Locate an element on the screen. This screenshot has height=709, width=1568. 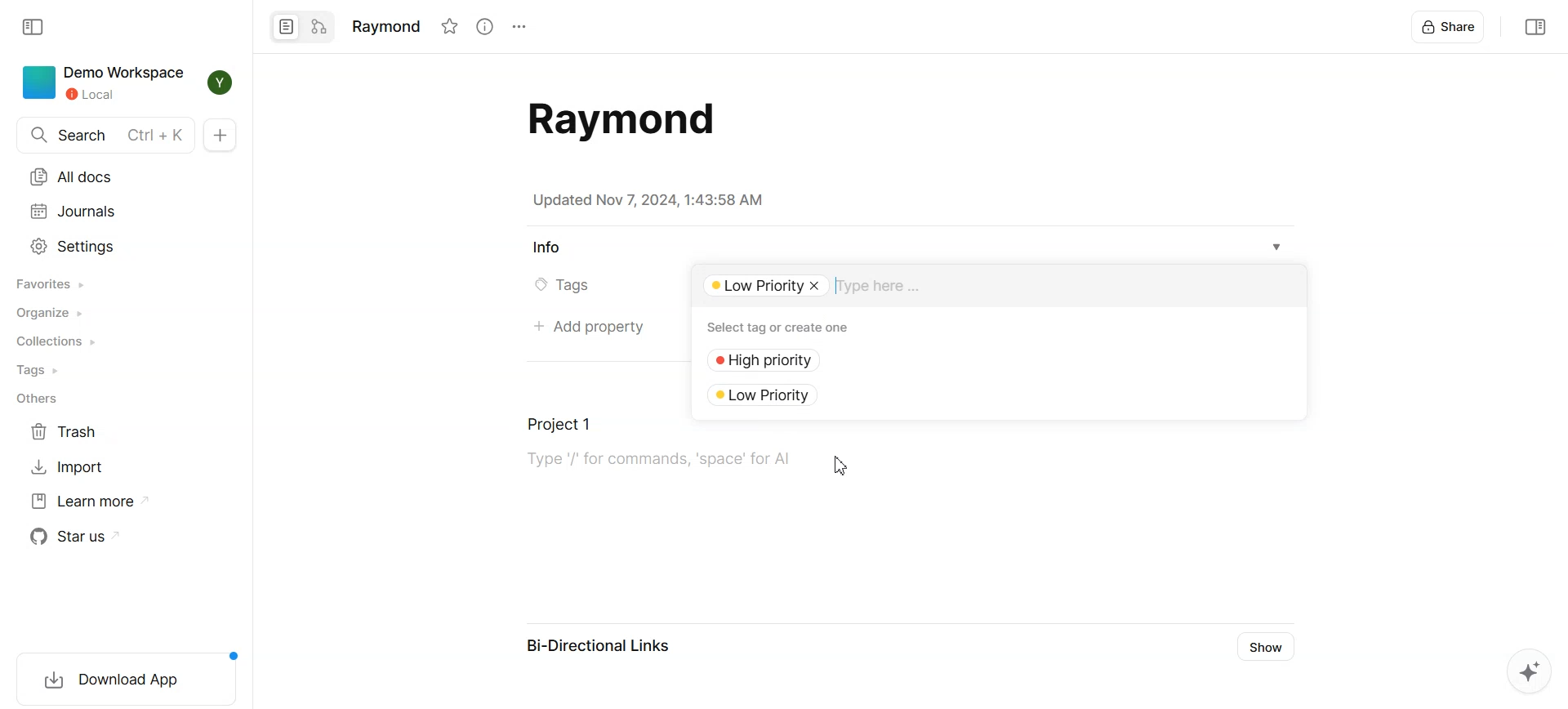
View info is located at coordinates (483, 26).